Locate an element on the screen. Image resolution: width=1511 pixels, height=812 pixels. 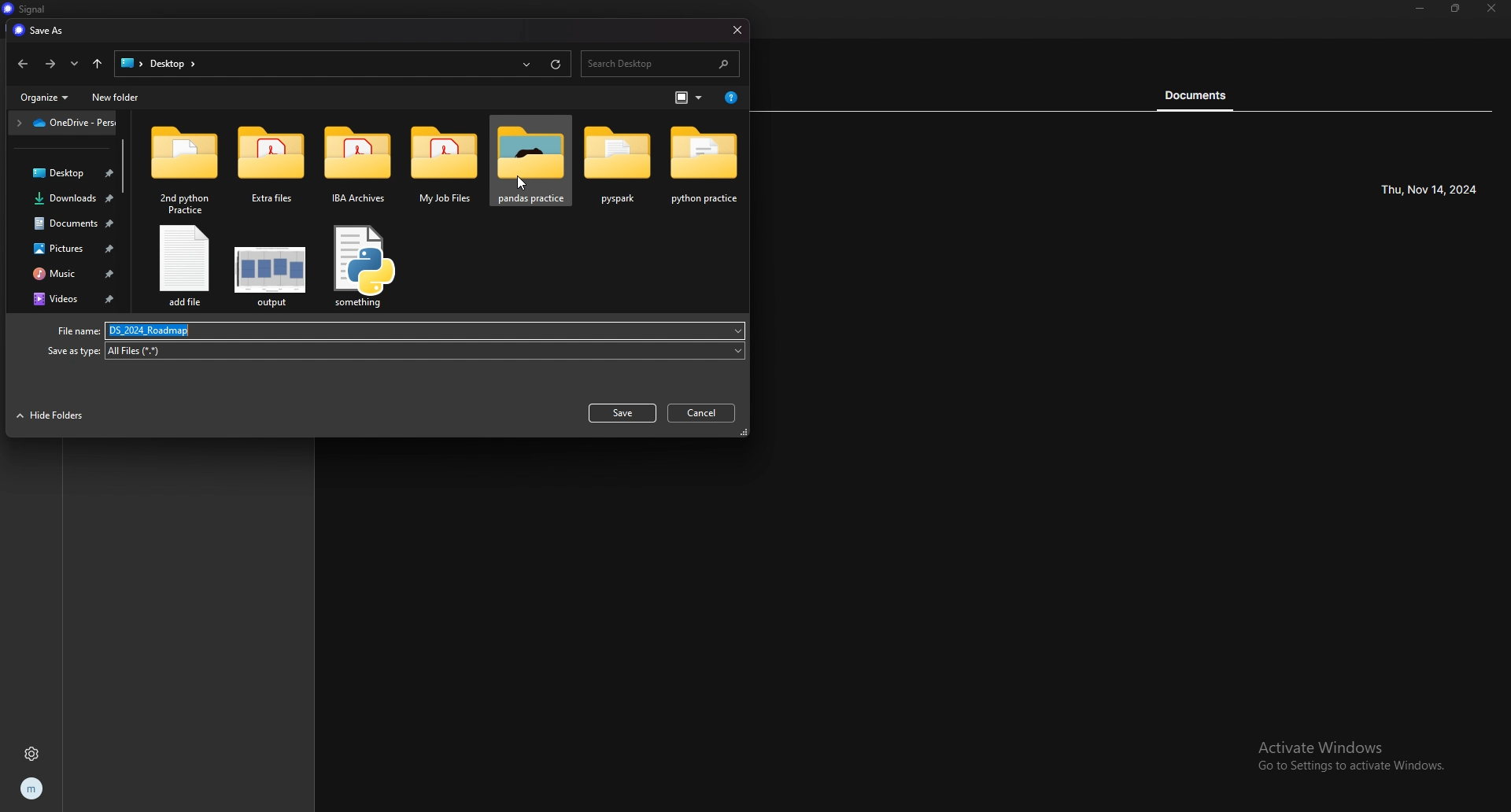
downloads is located at coordinates (68, 199).